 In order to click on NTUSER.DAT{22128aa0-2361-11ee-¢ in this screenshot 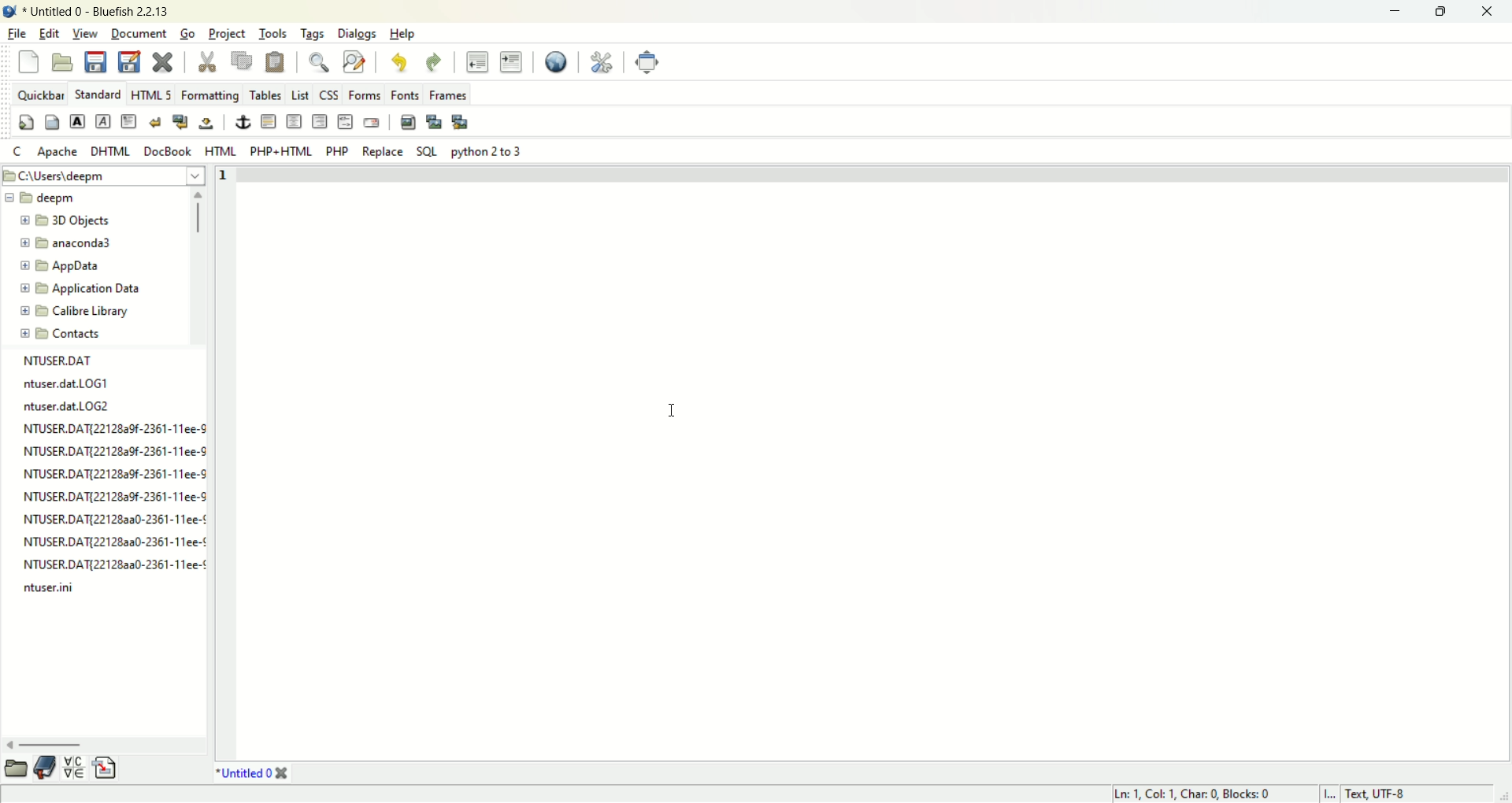, I will do `click(107, 562)`.